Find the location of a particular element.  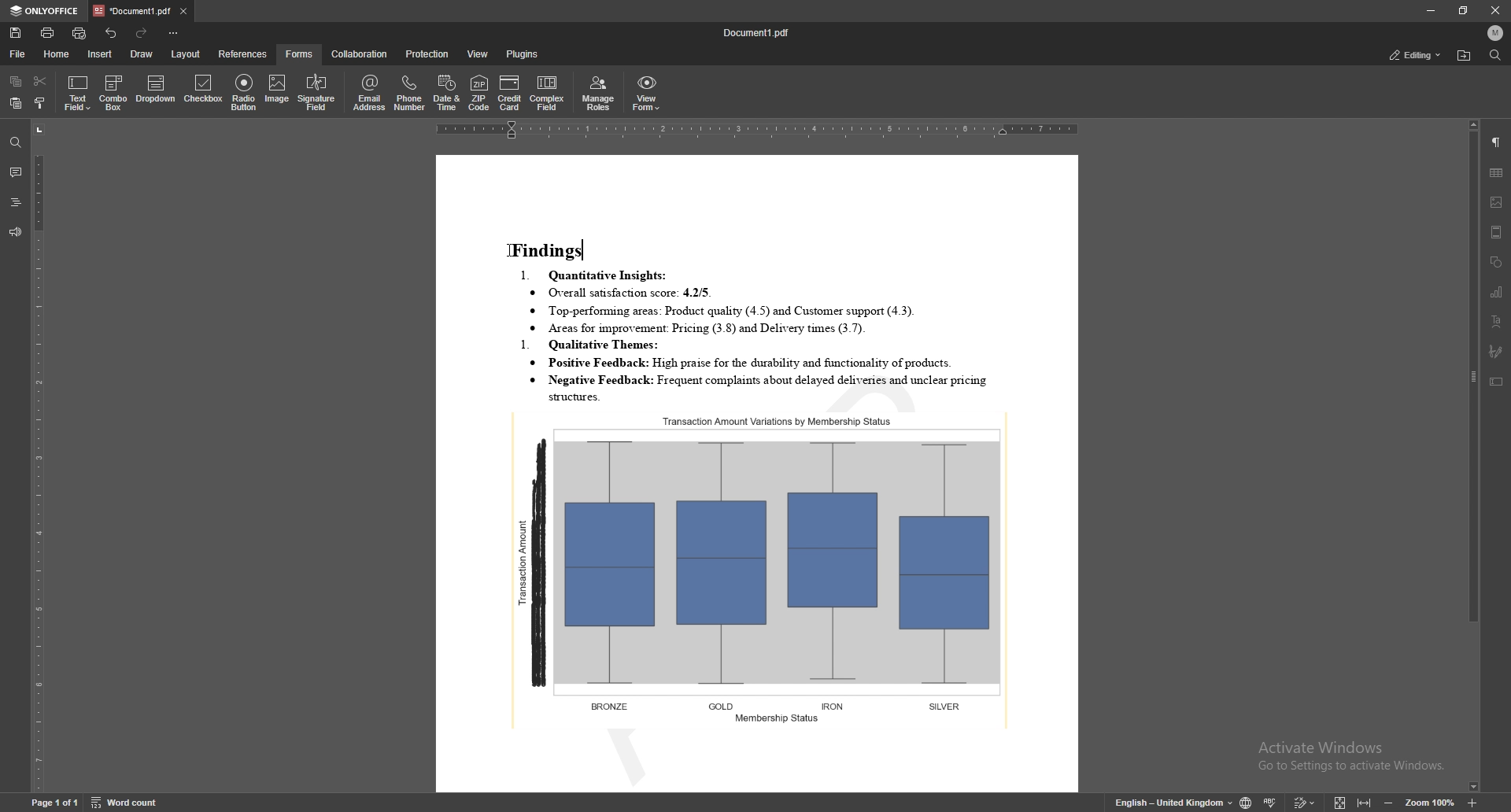

spell check is located at coordinates (1269, 803).